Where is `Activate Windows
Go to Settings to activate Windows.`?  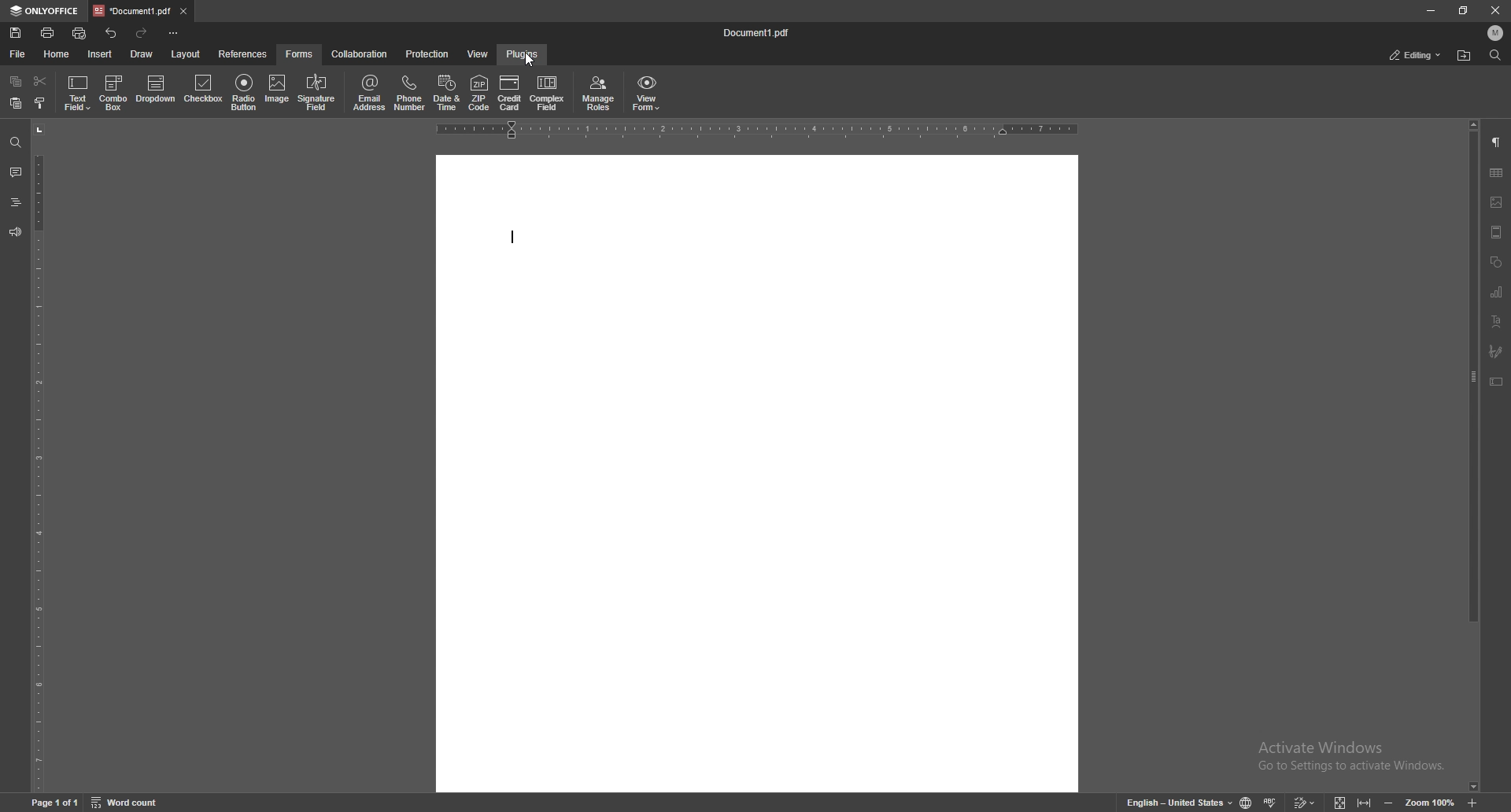
Activate Windows
Go to Settings to activate Windows. is located at coordinates (1350, 755).